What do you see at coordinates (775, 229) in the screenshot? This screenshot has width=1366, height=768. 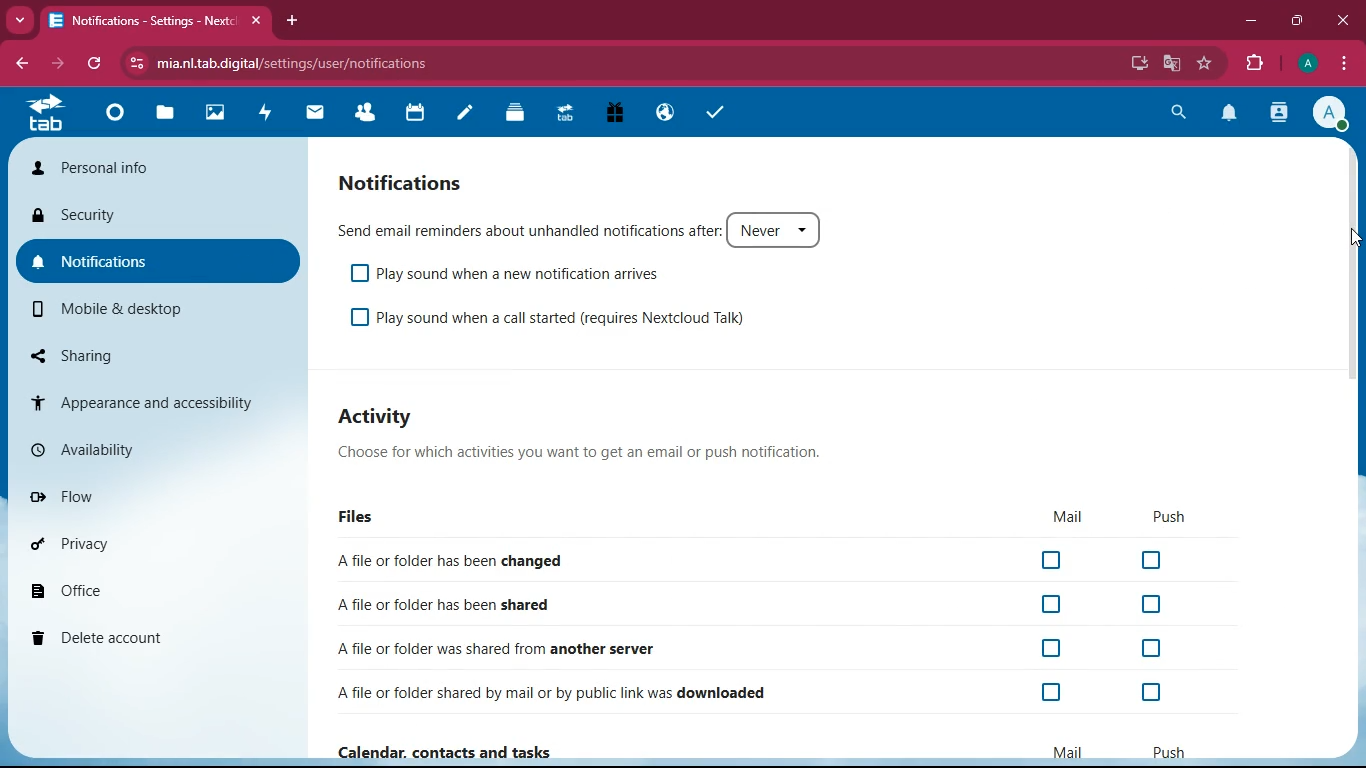 I see `Never` at bounding box center [775, 229].